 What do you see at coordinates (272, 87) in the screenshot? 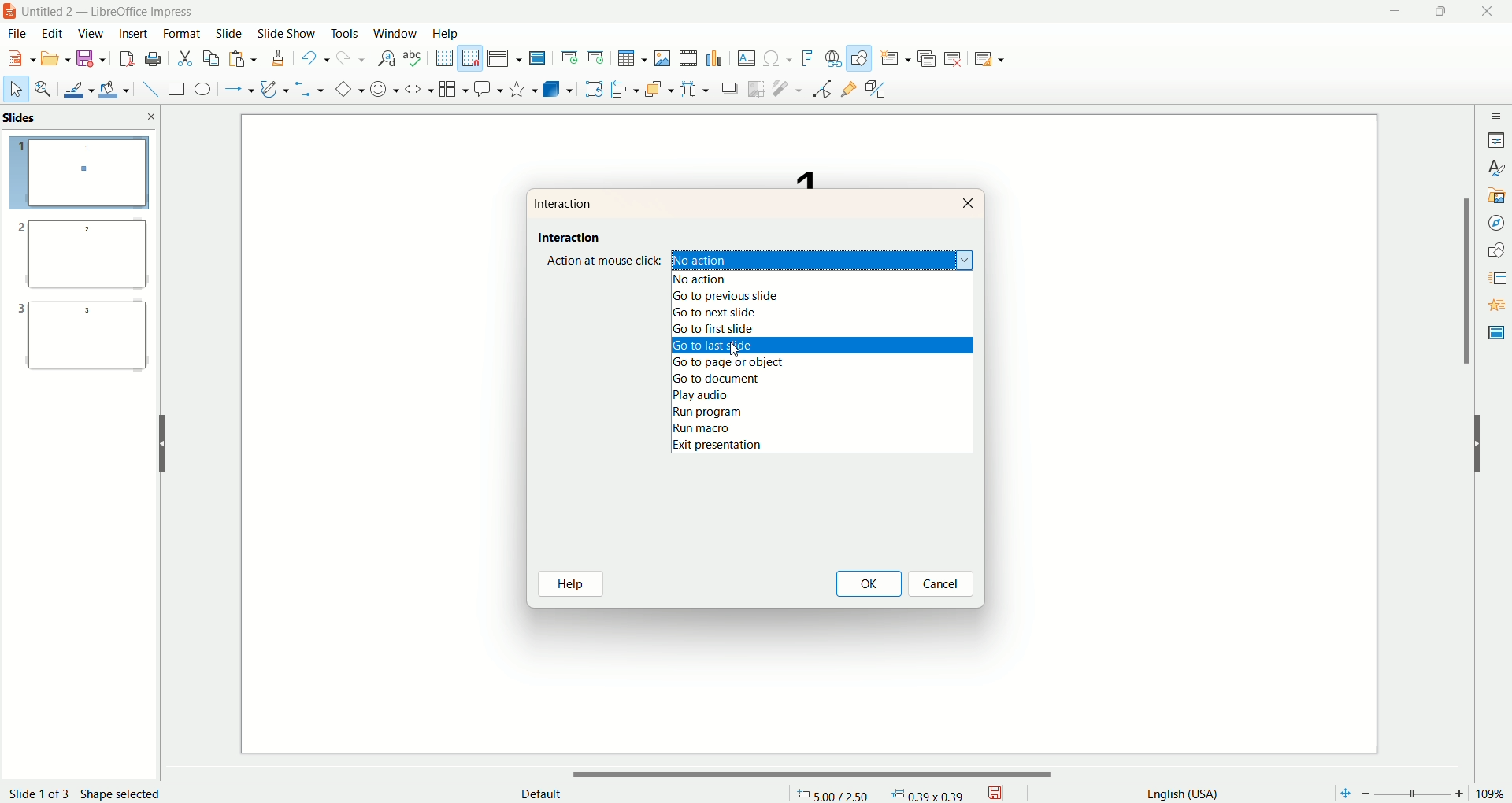
I see `curves and polygon` at bounding box center [272, 87].